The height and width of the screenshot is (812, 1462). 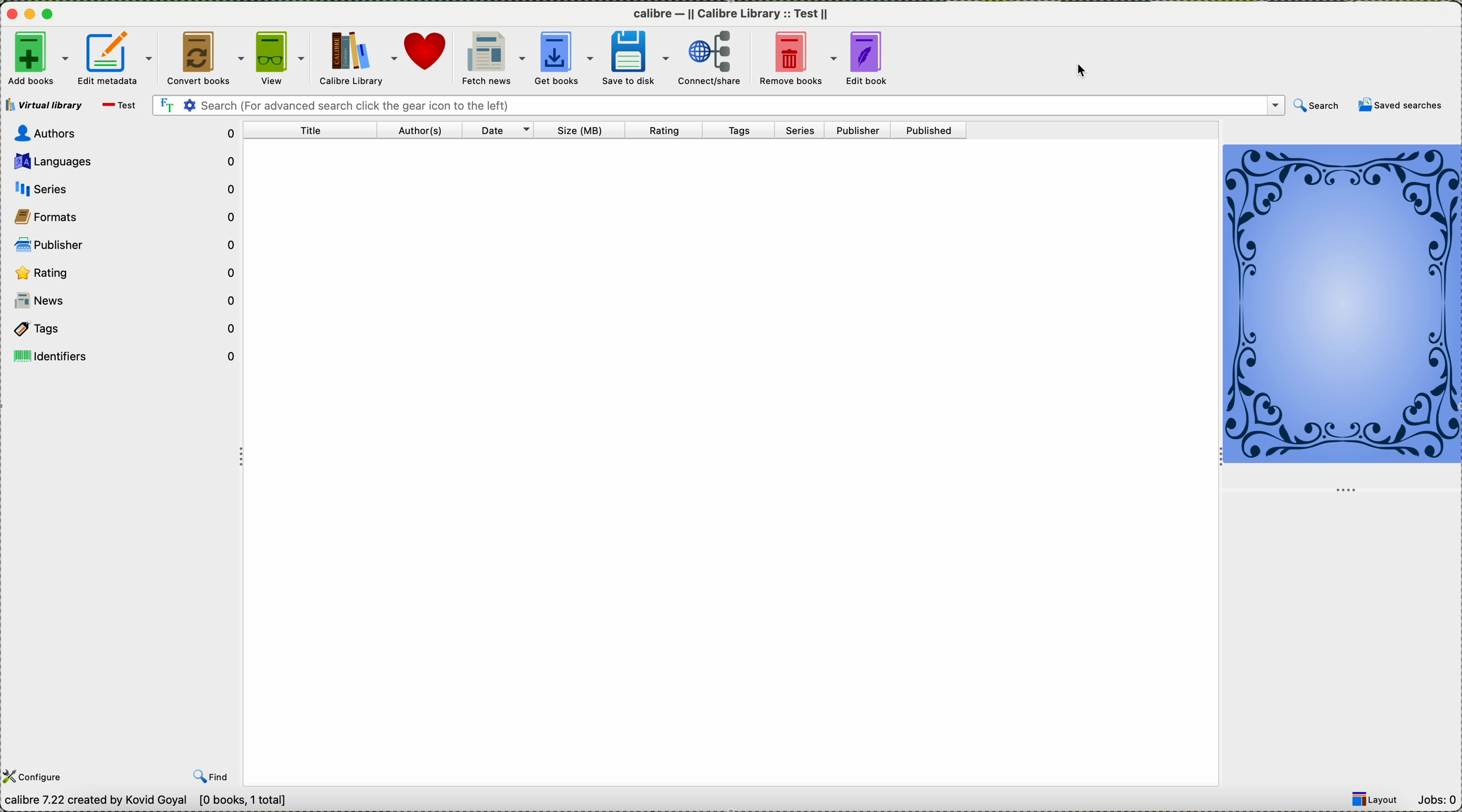 What do you see at coordinates (425, 130) in the screenshot?
I see `authors` at bounding box center [425, 130].